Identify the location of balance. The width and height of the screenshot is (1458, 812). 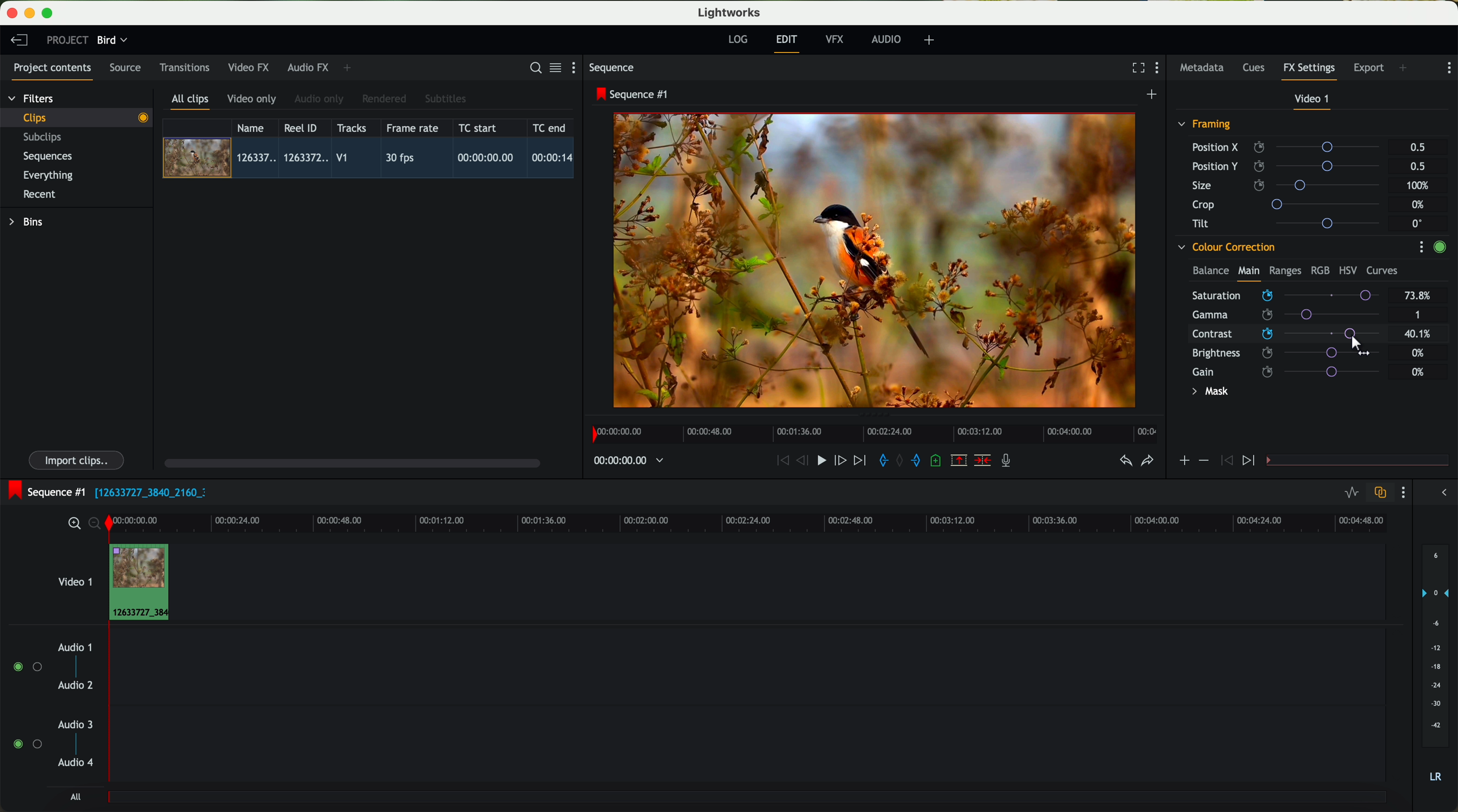
(1211, 272).